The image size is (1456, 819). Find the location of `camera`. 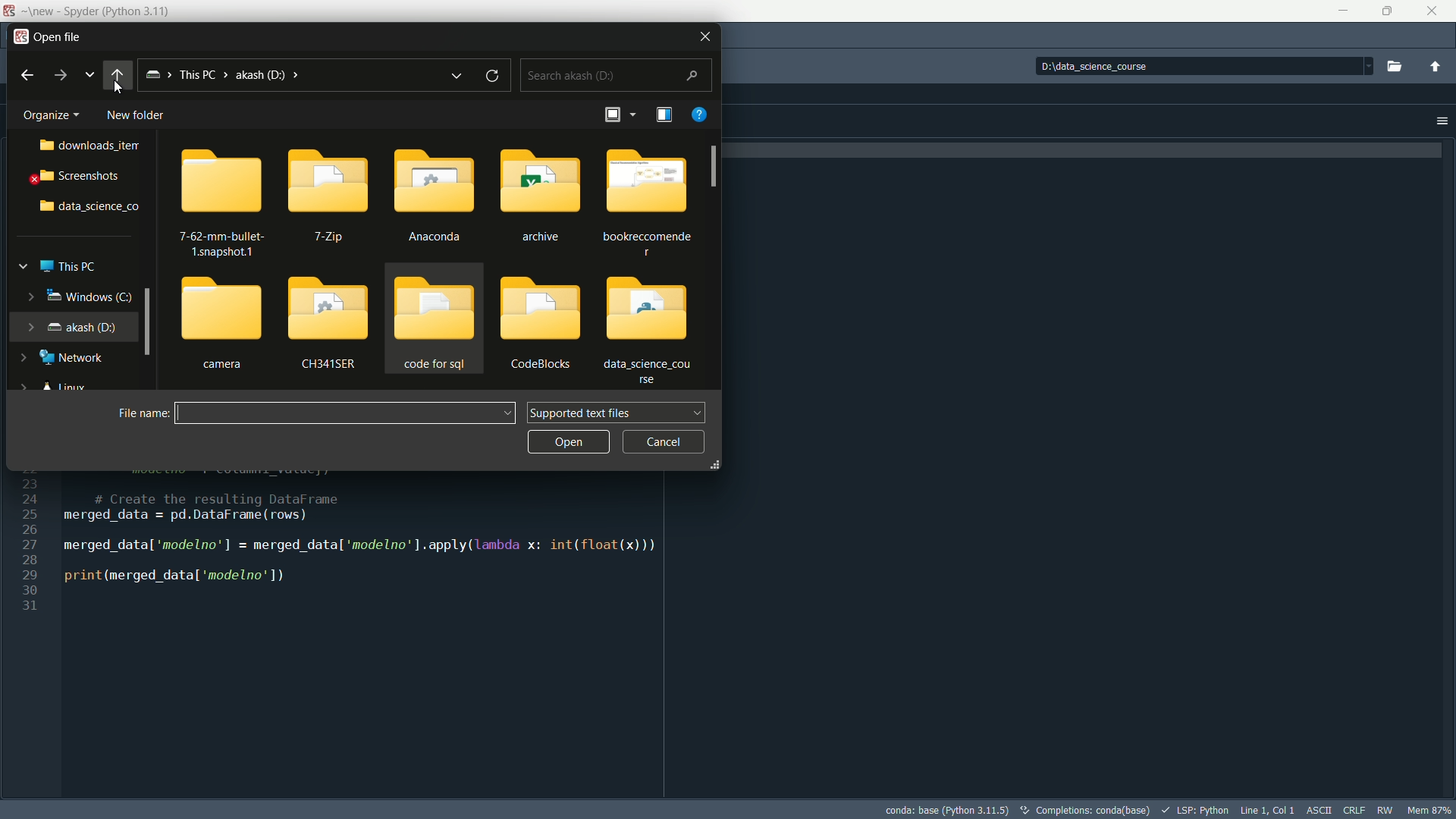

camera is located at coordinates (220, 325).